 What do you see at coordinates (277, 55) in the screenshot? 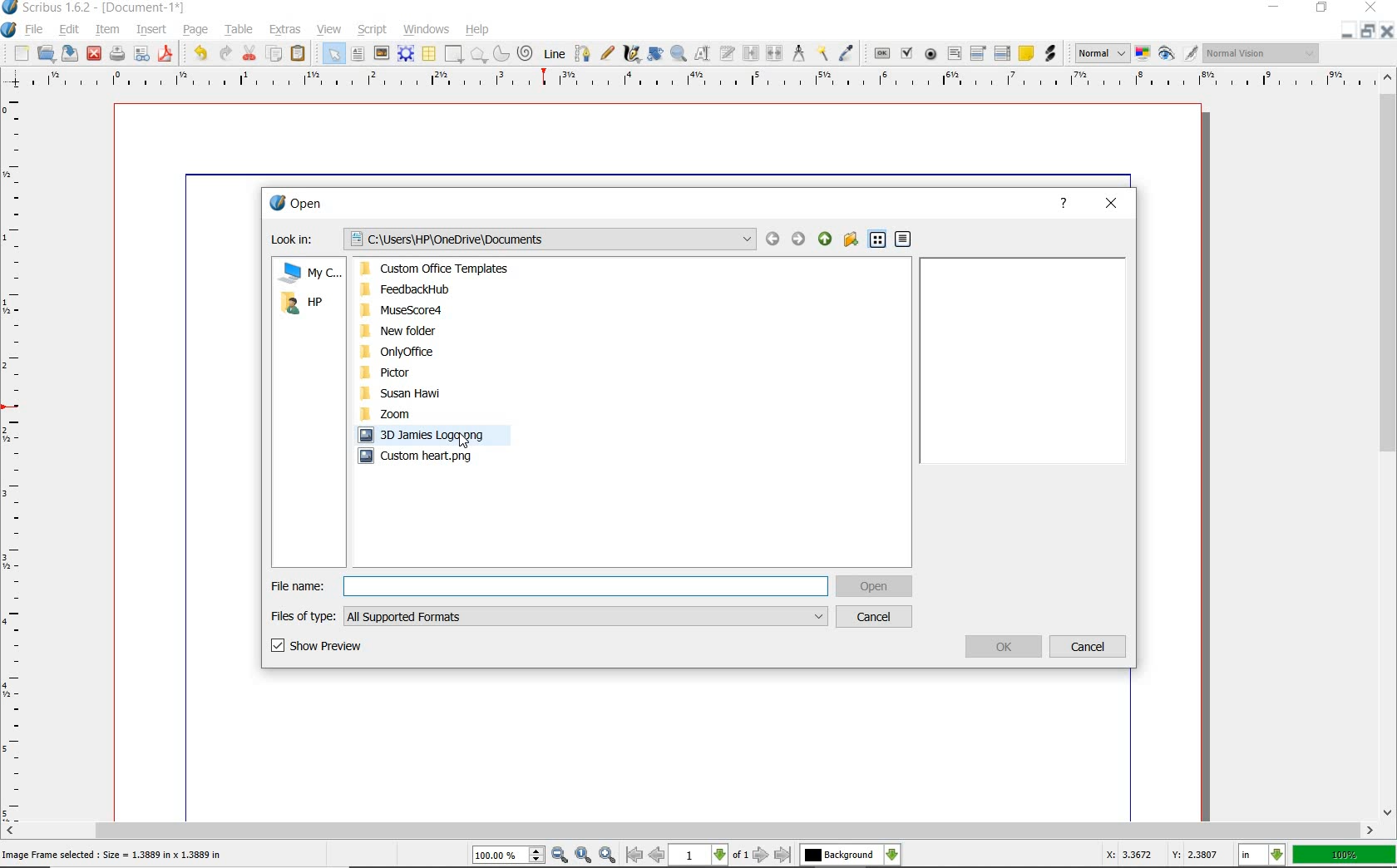
I see `copy` at bounding box center [277, 55].